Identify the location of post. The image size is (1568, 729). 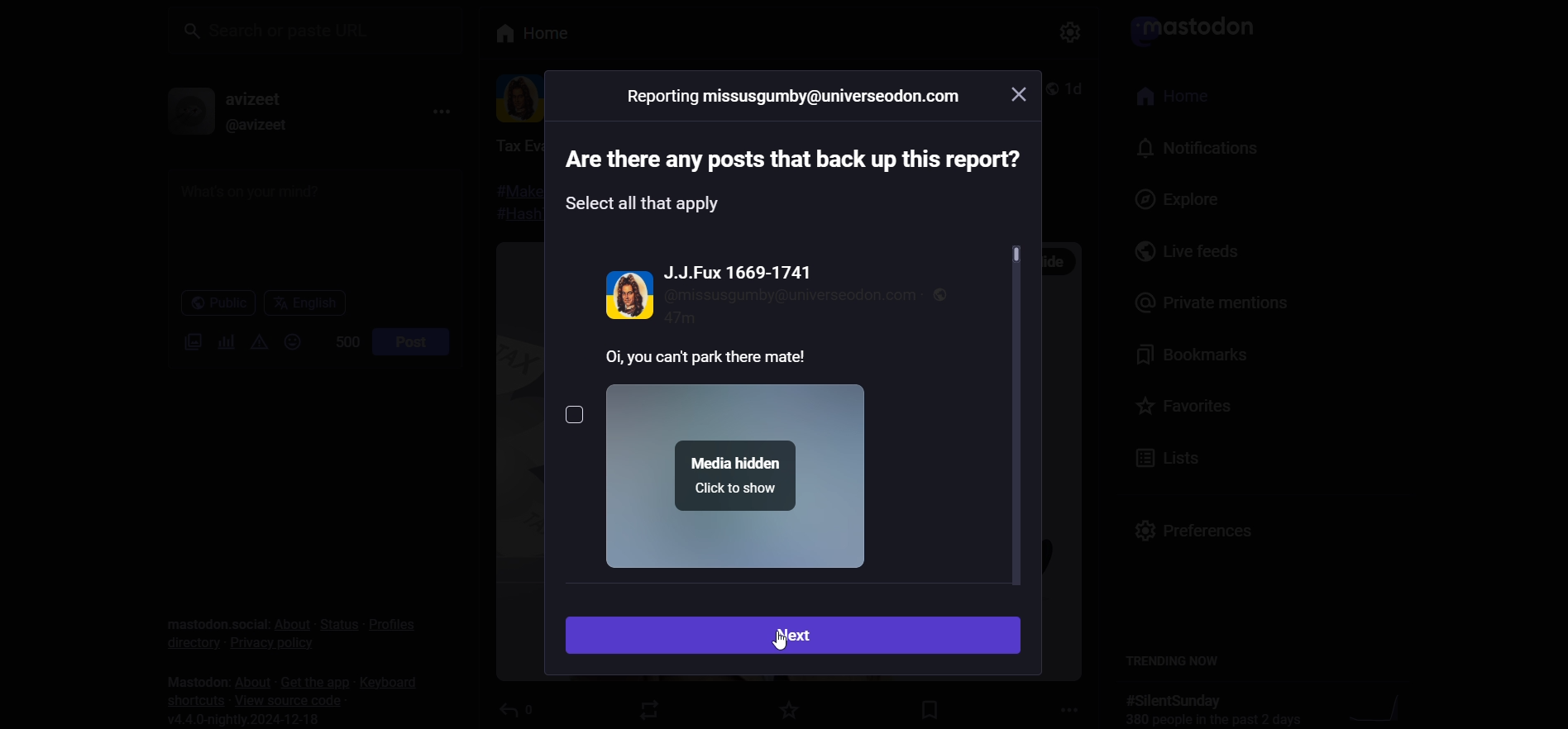
(801, 417).